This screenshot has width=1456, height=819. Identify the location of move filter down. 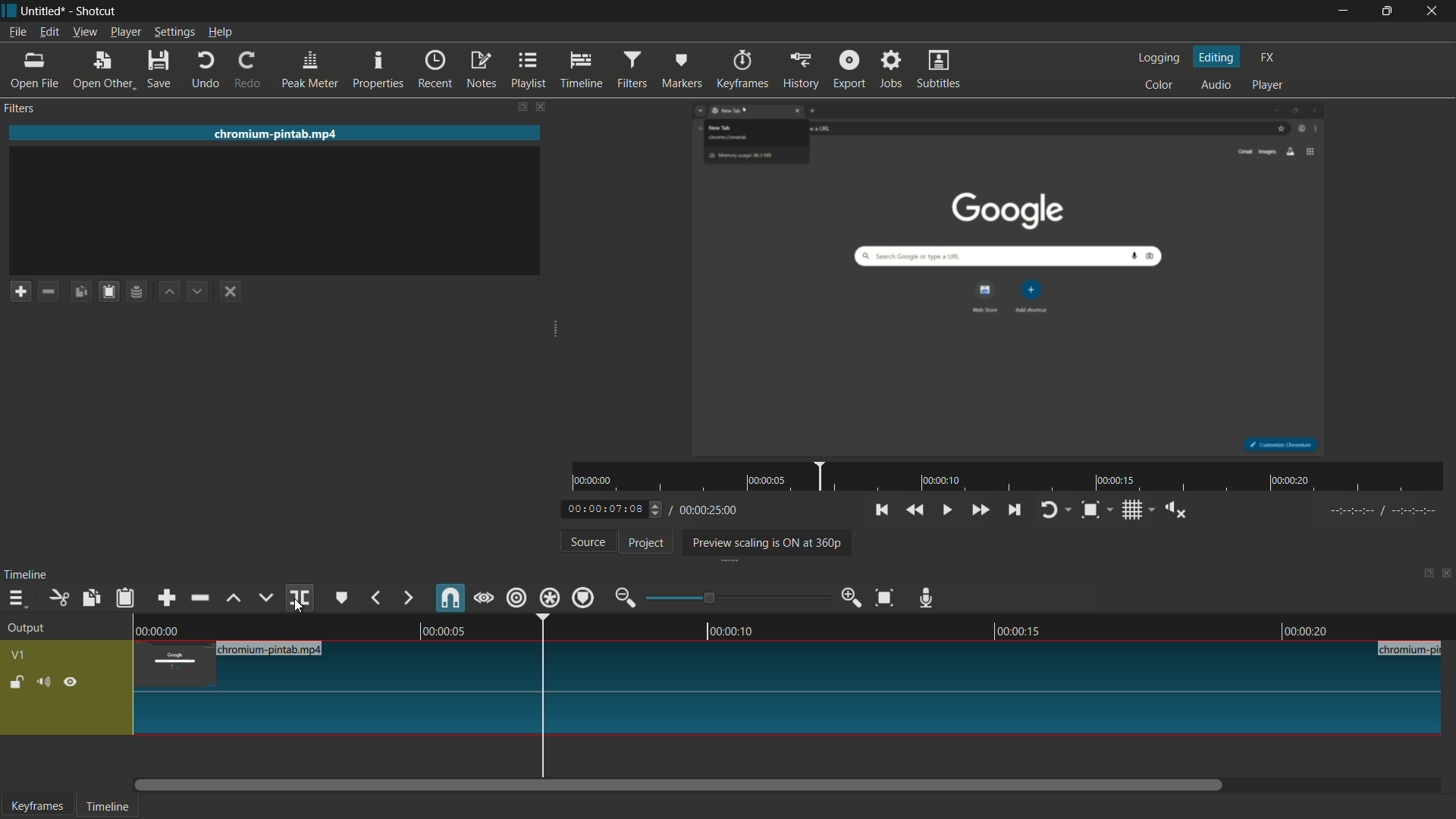
(196, 291).